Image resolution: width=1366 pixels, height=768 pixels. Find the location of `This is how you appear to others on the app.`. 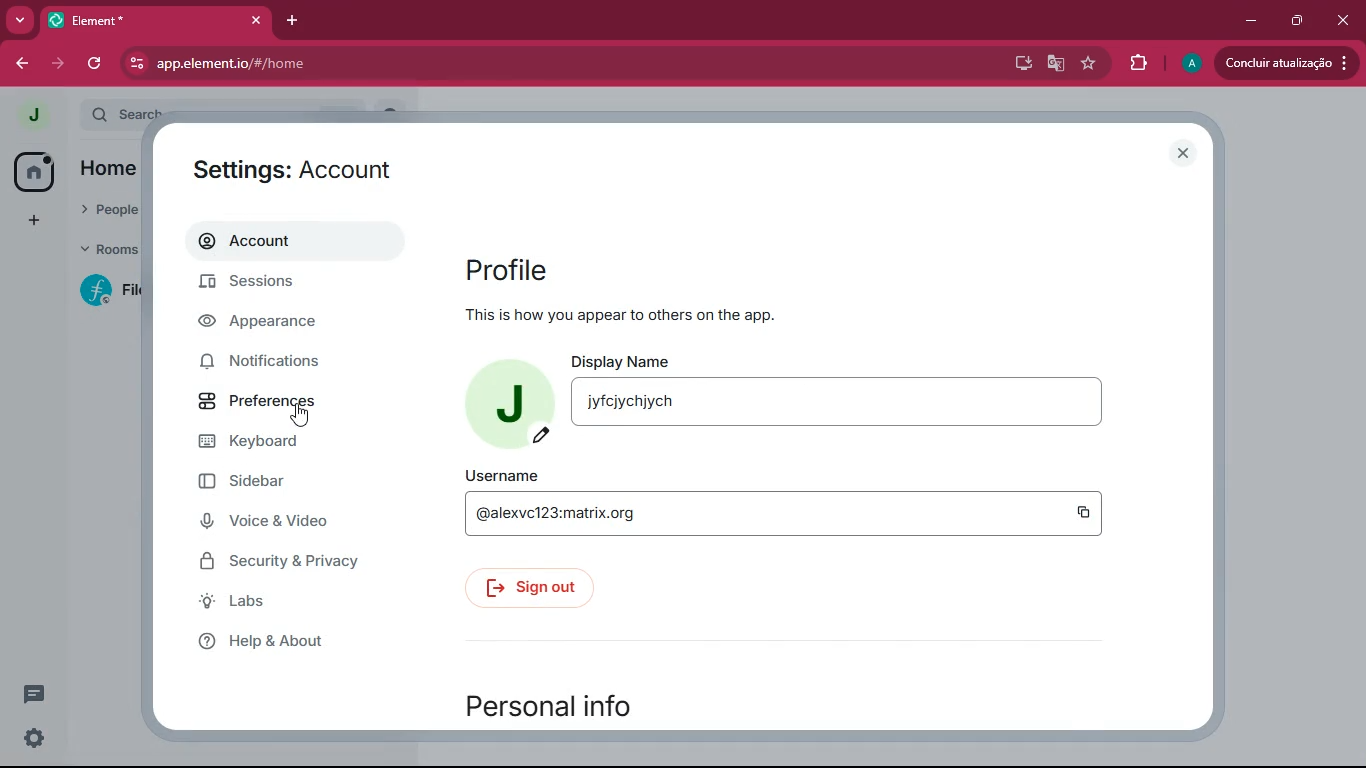

This is how you appear to others on the app. is located at coordinates (661, 315).